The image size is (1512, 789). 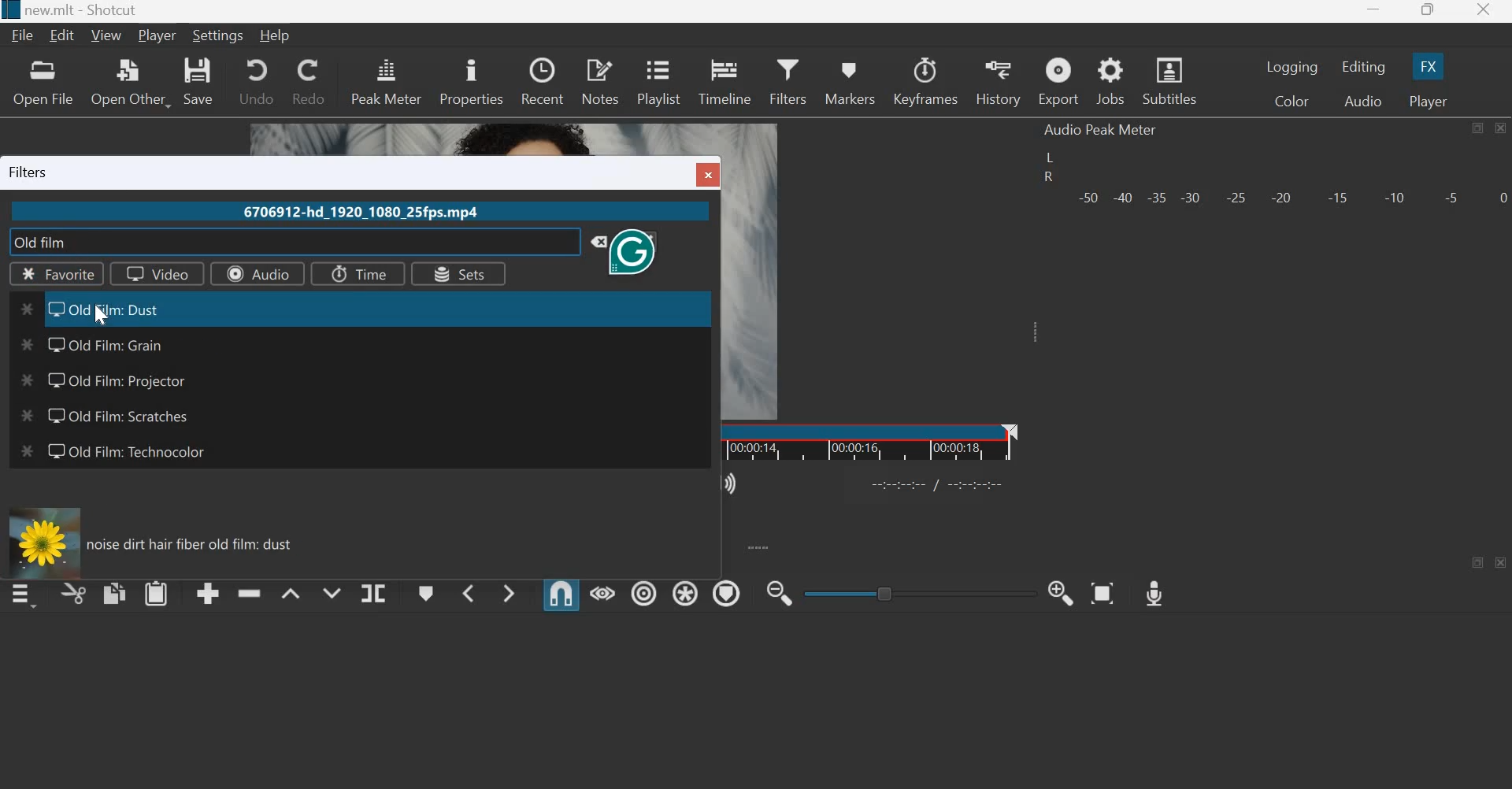 What do you see at coordinates (106, 309) in the screenshot?
I see `Old film: Dust` at bounding box center [106, 309].